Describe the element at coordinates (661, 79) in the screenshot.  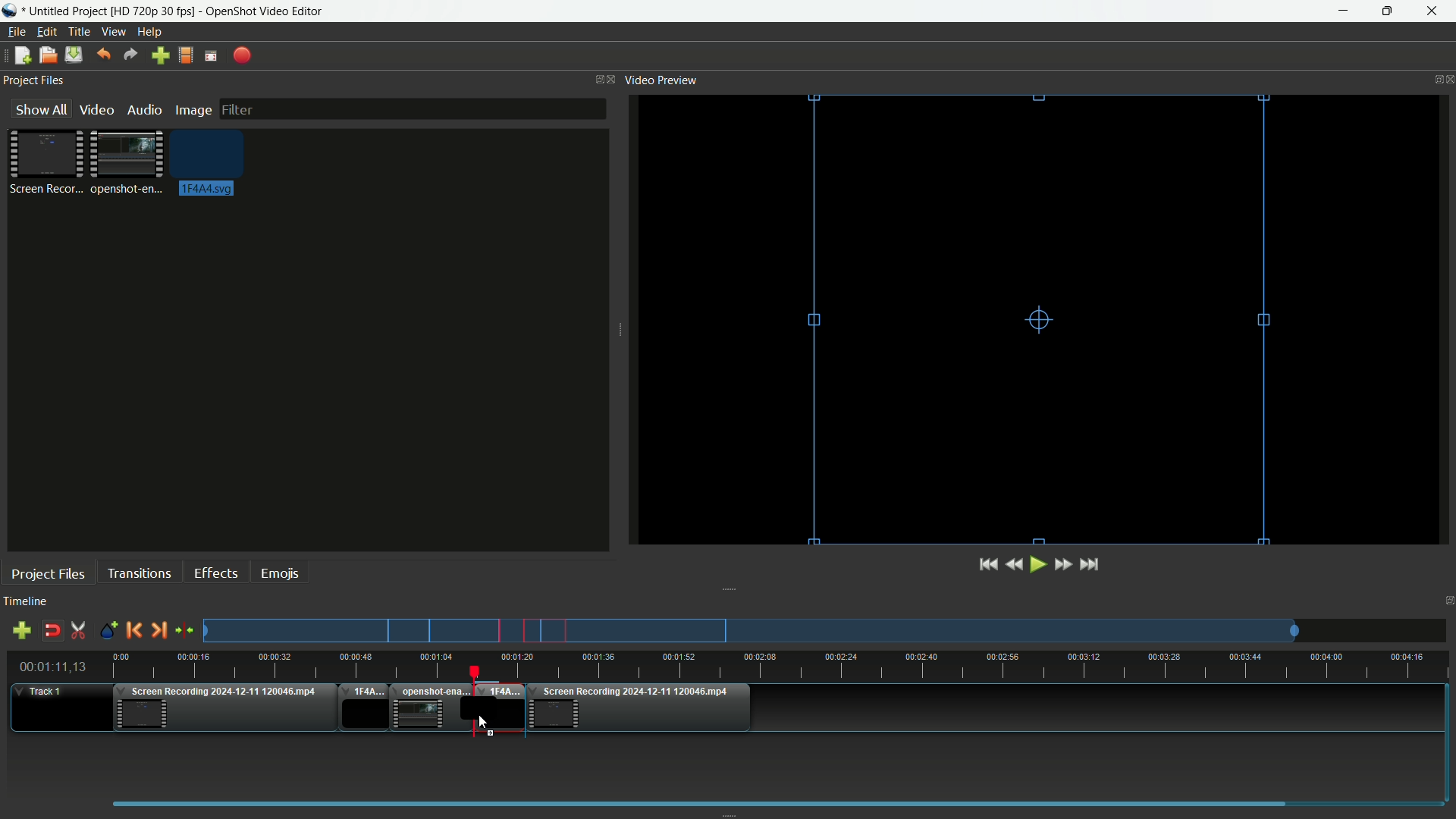
I see `Video preview` at that location.